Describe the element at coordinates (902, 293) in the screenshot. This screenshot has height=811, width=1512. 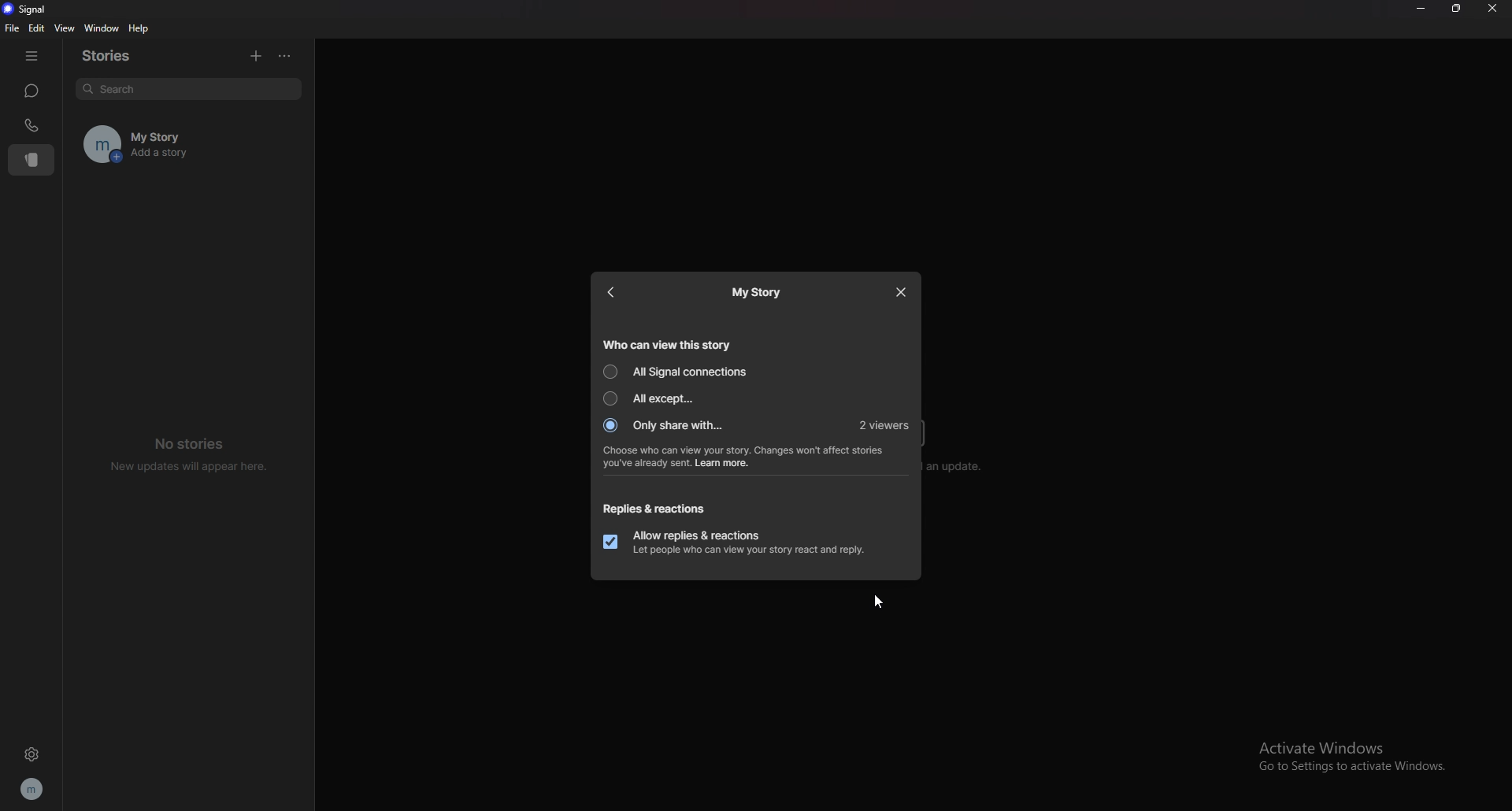
I see `close` at that location.